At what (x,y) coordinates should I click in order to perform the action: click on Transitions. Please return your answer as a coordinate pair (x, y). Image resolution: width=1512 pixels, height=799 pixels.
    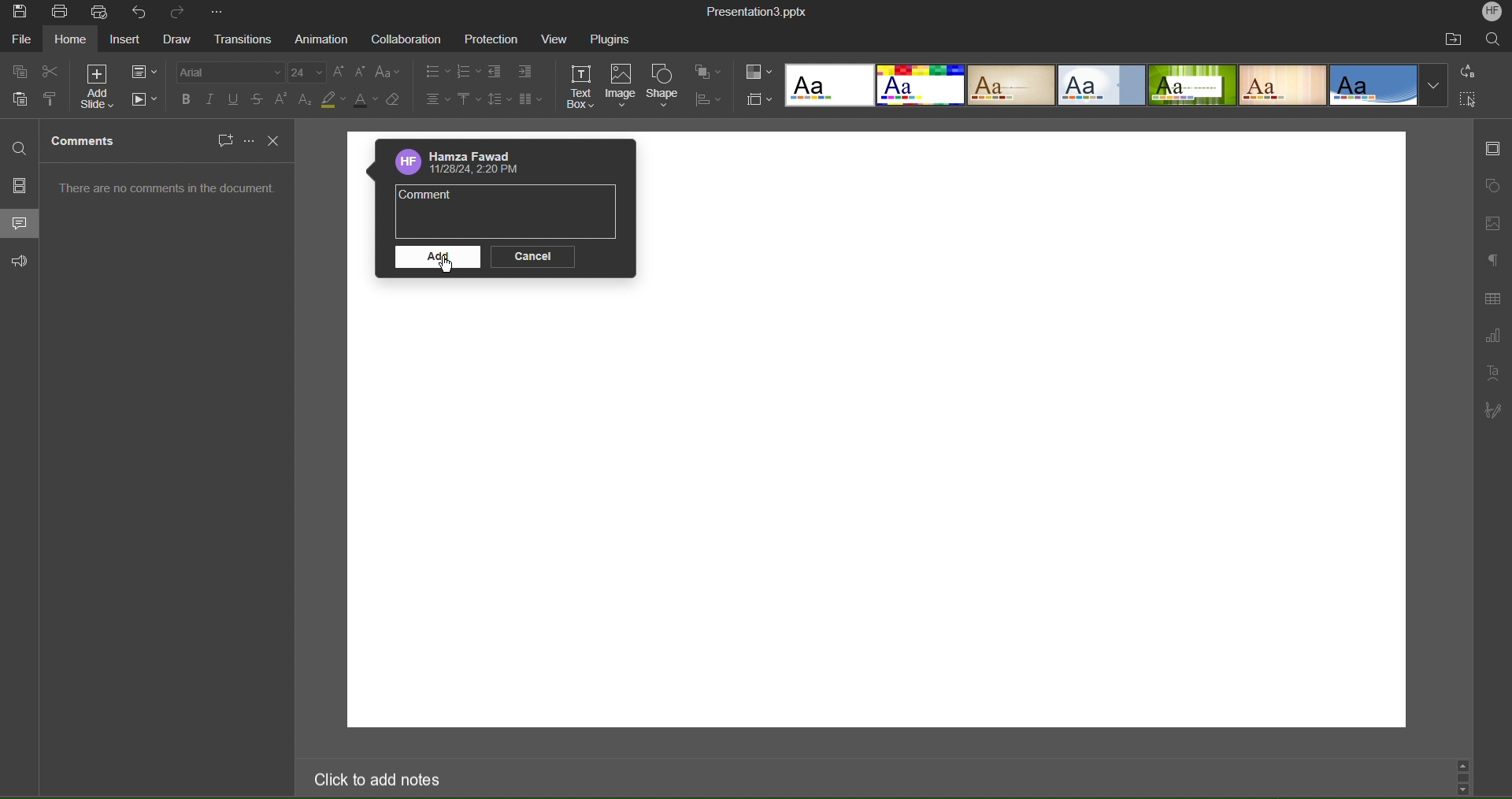
    Looking at the image, I should click on (243, 39).